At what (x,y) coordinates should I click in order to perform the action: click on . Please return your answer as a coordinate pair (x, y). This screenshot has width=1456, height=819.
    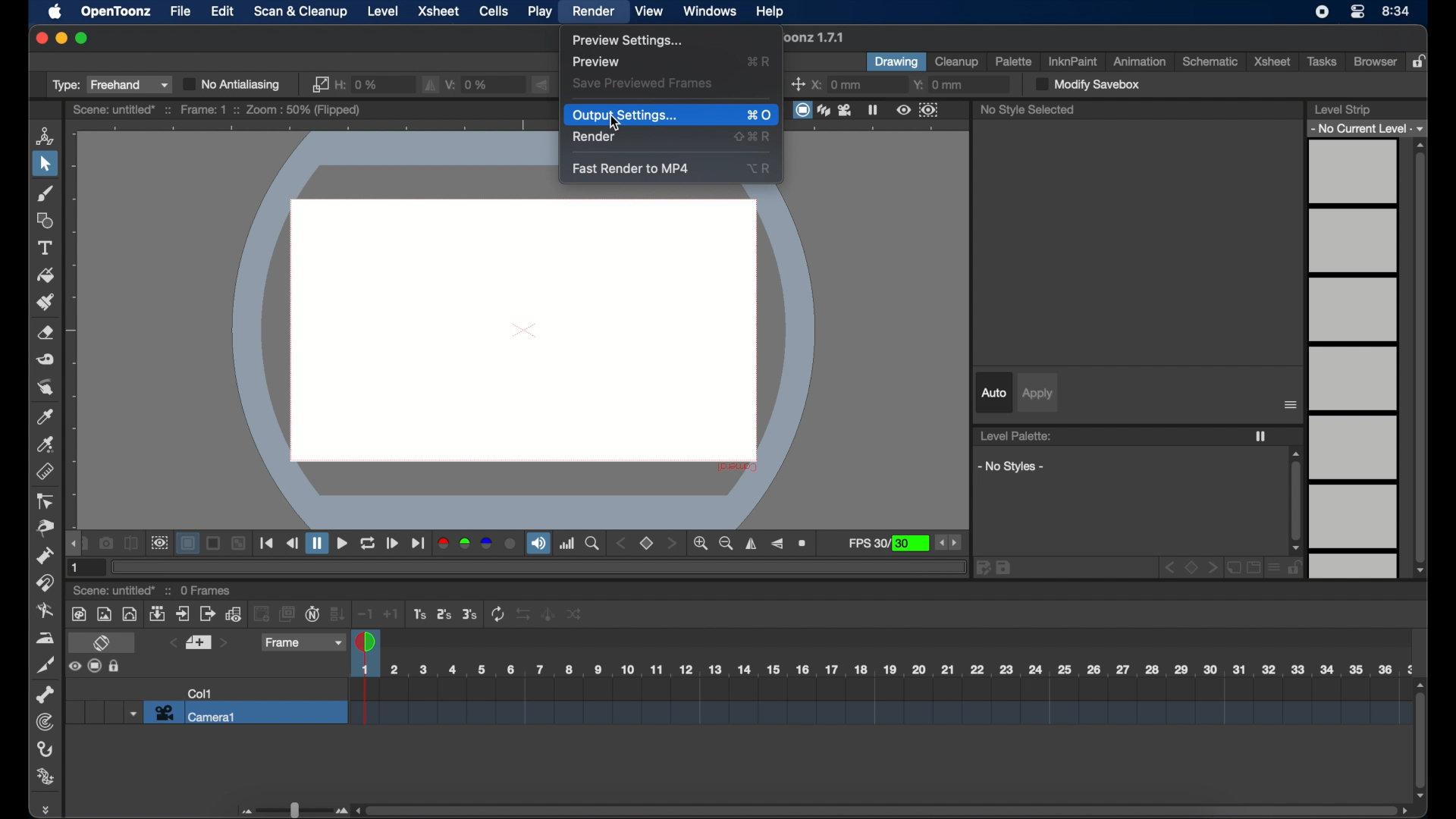
    Looking at the image, I should click on (368, 543).